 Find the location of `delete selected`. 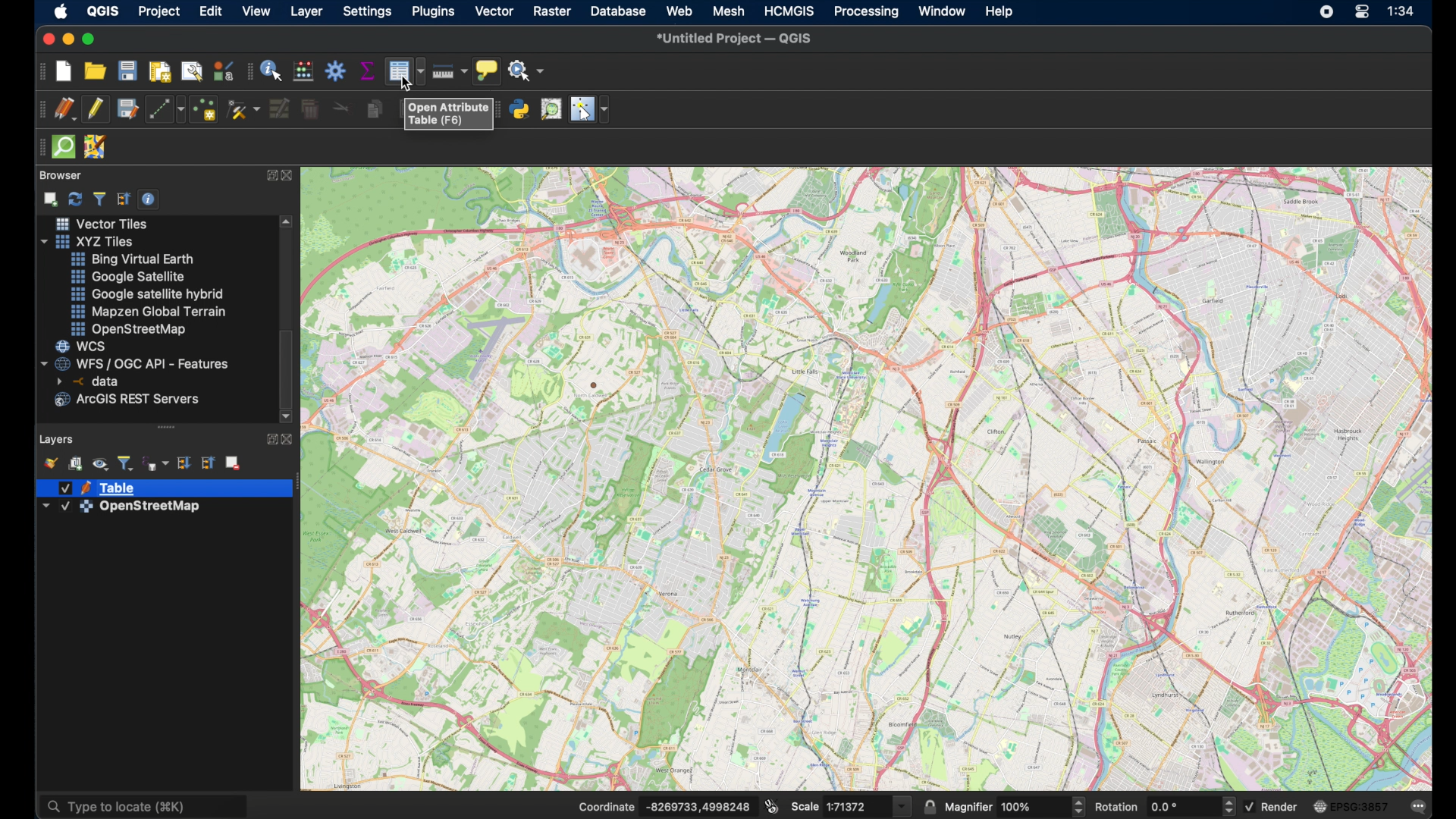

delete selected is located at coordinates (308, 110).